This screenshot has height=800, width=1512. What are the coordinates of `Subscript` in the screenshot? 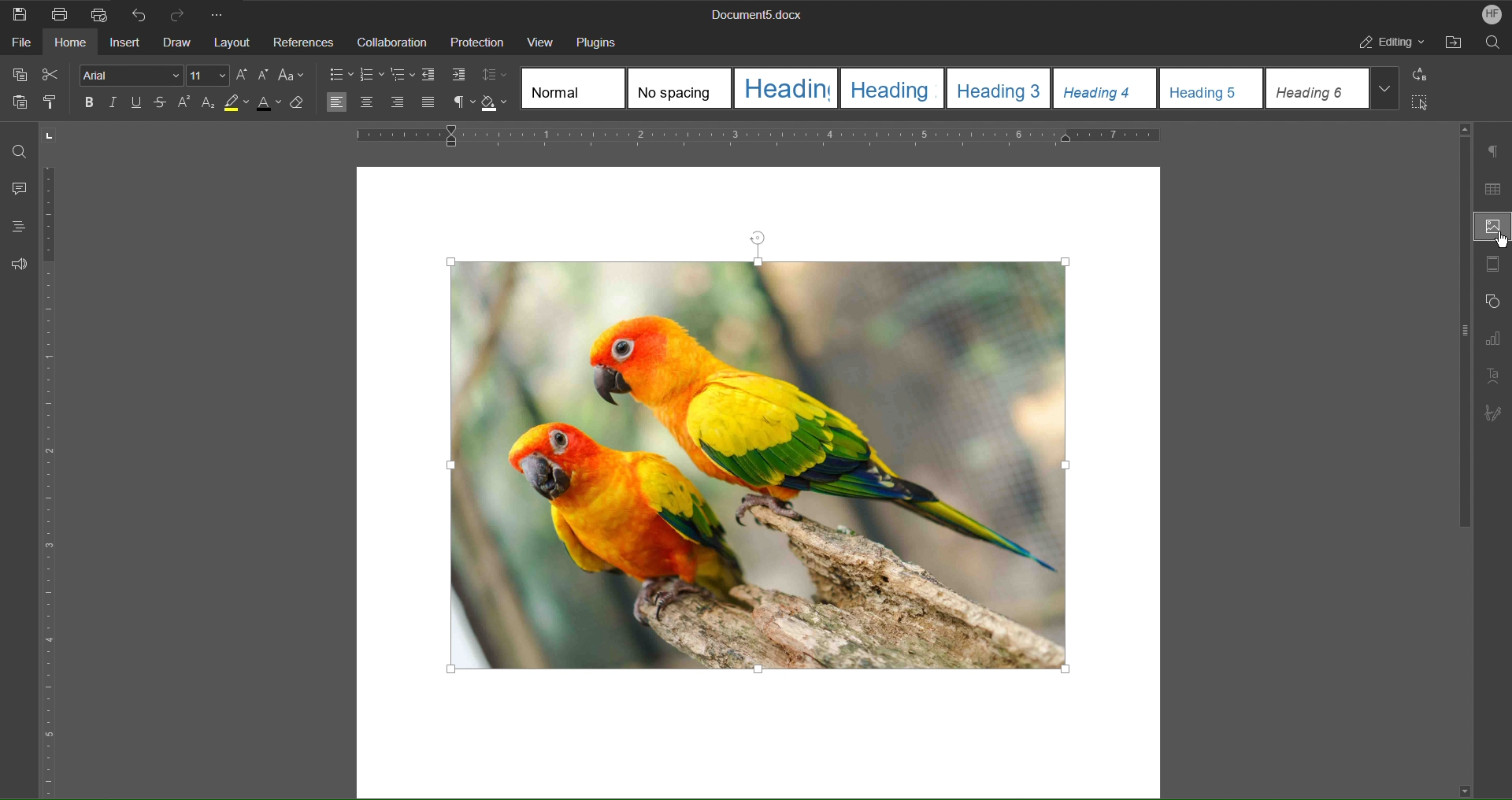 It's located at (209, 106).